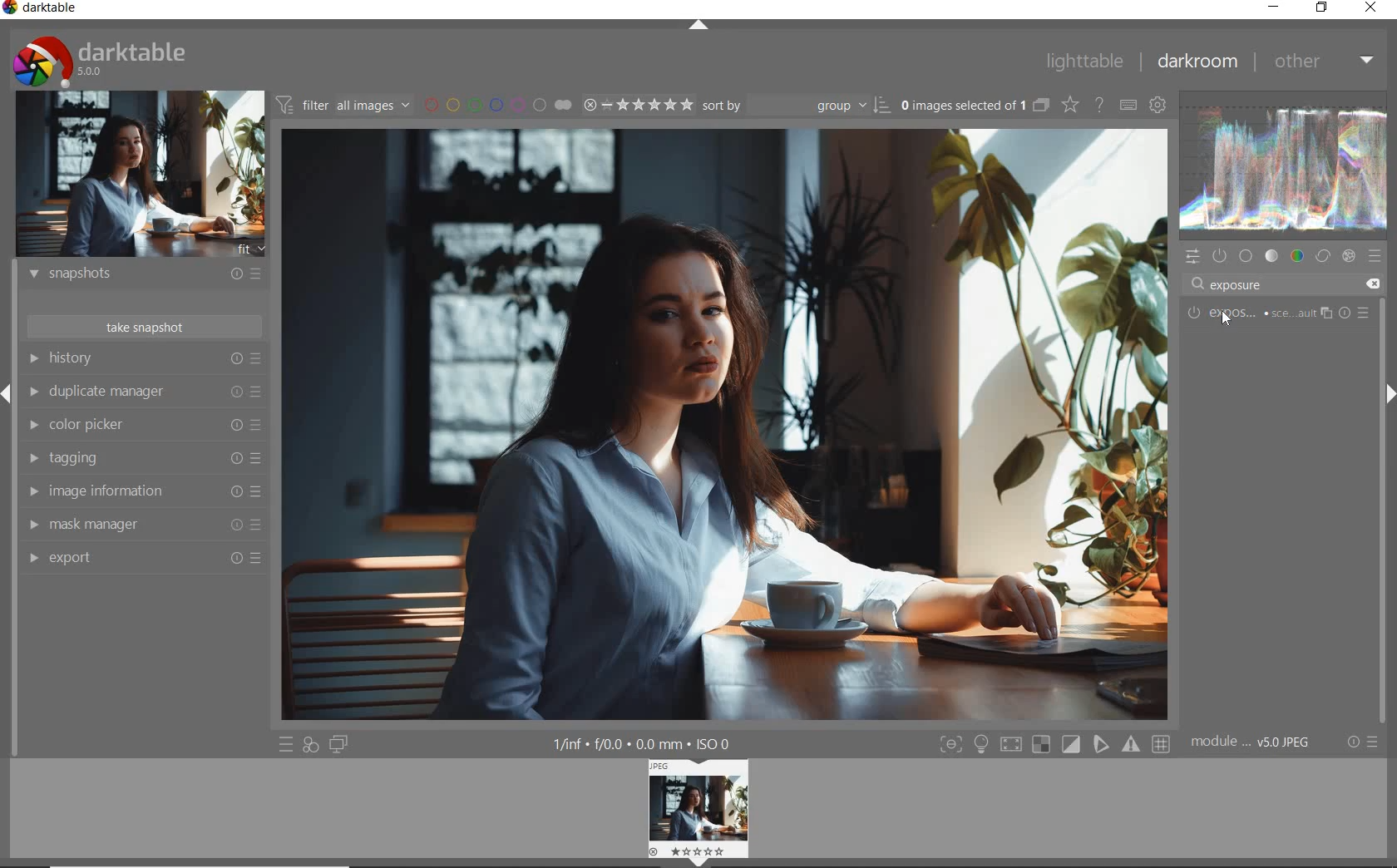 The height and width of the screenshot is (868, 1397). Describe the element at coordinates (793, 106) in the screenshot. I see `sort` at that location.